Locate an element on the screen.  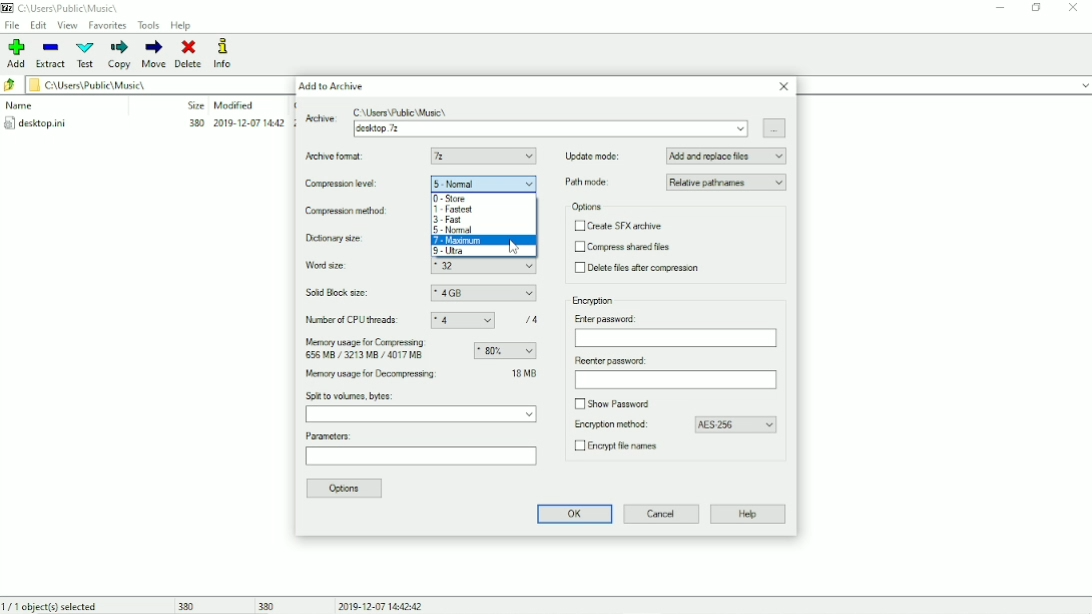
Cancel is located at coordinates (662, 514).